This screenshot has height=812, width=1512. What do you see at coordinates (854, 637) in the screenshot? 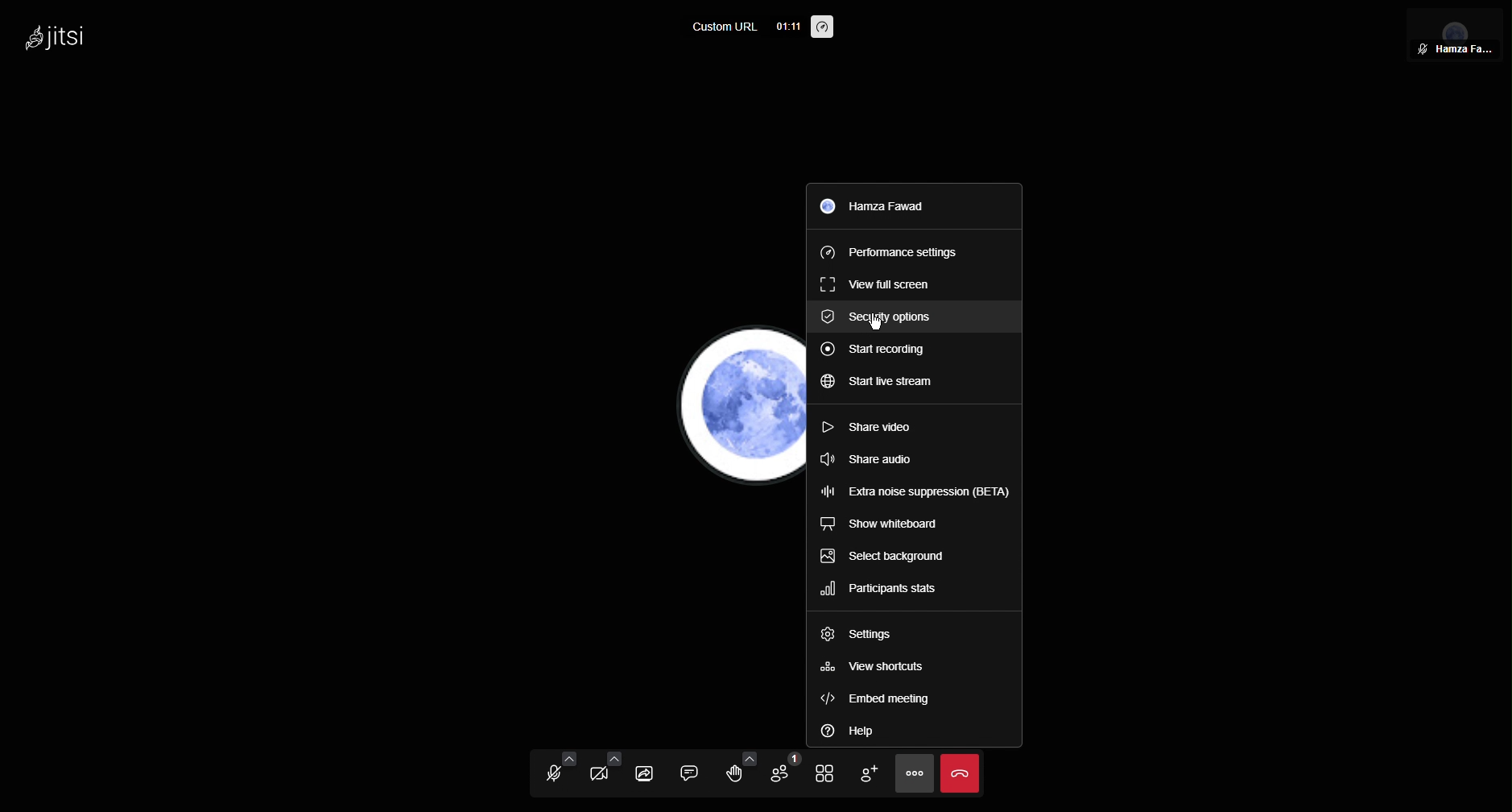
I see `Settings` at bounding box center [854, 637].